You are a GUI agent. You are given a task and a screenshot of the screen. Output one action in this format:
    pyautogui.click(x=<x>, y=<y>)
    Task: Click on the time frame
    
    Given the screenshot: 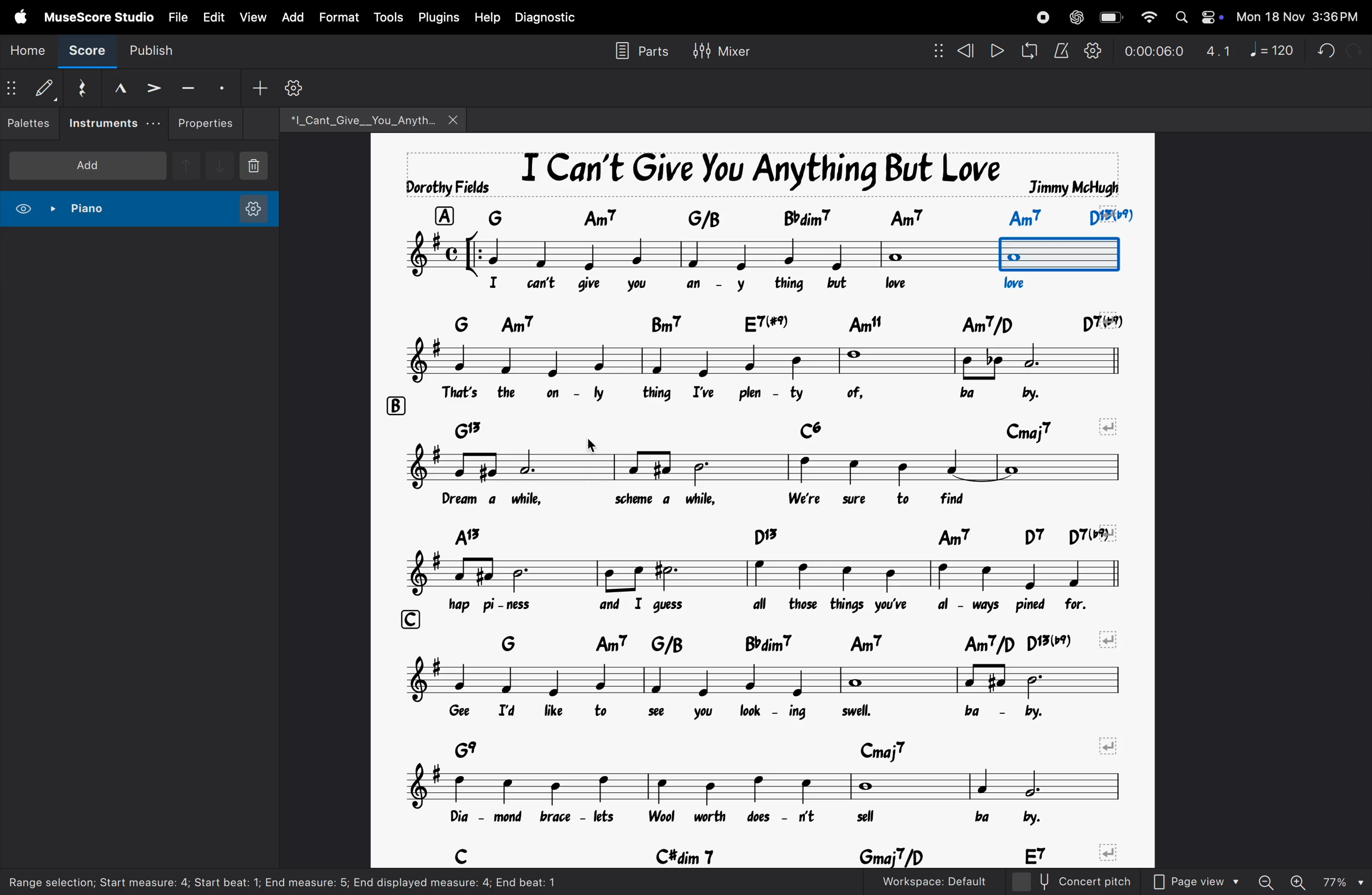 What is the action you would take?
    pyautogui.click(x=1149, y=51)
    